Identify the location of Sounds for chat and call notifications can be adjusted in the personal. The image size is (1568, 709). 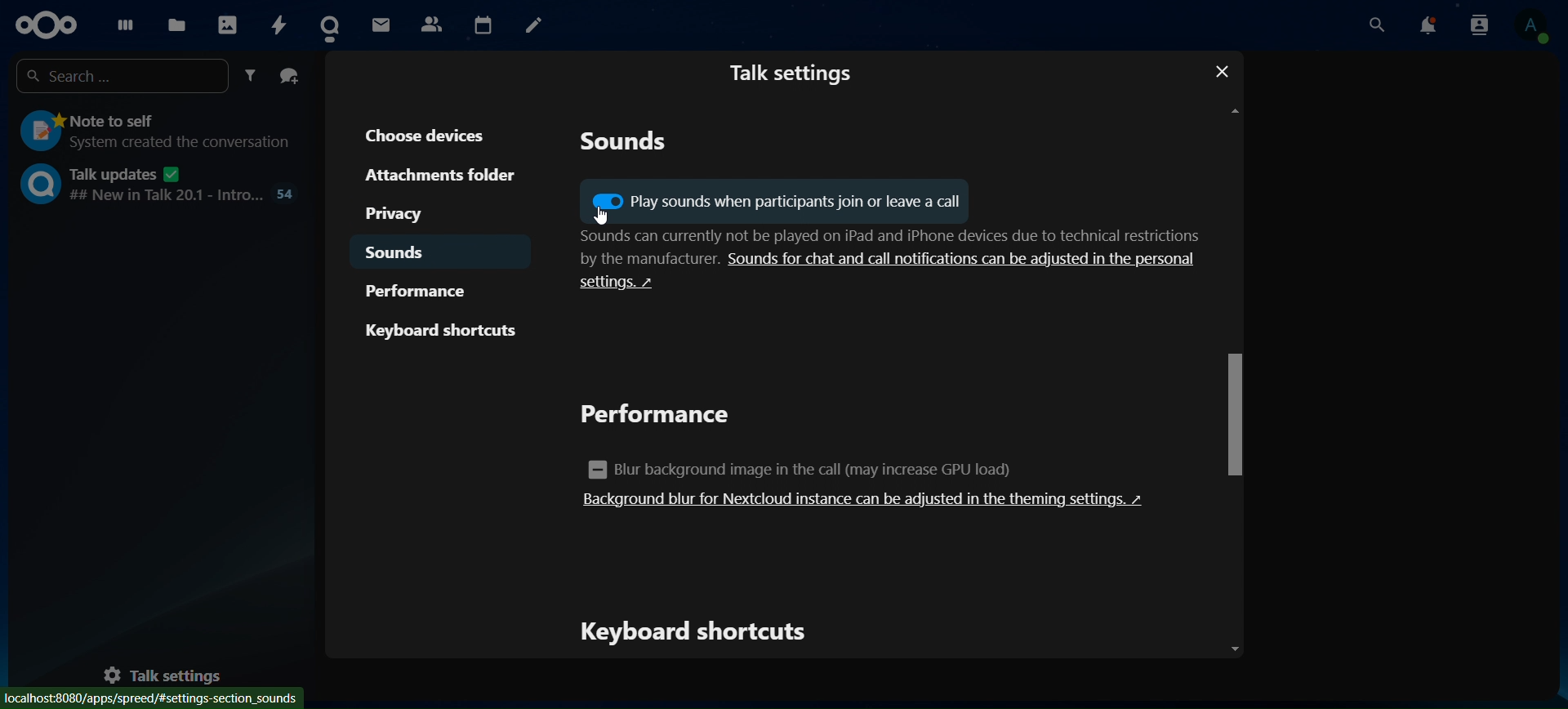
(965, 259).